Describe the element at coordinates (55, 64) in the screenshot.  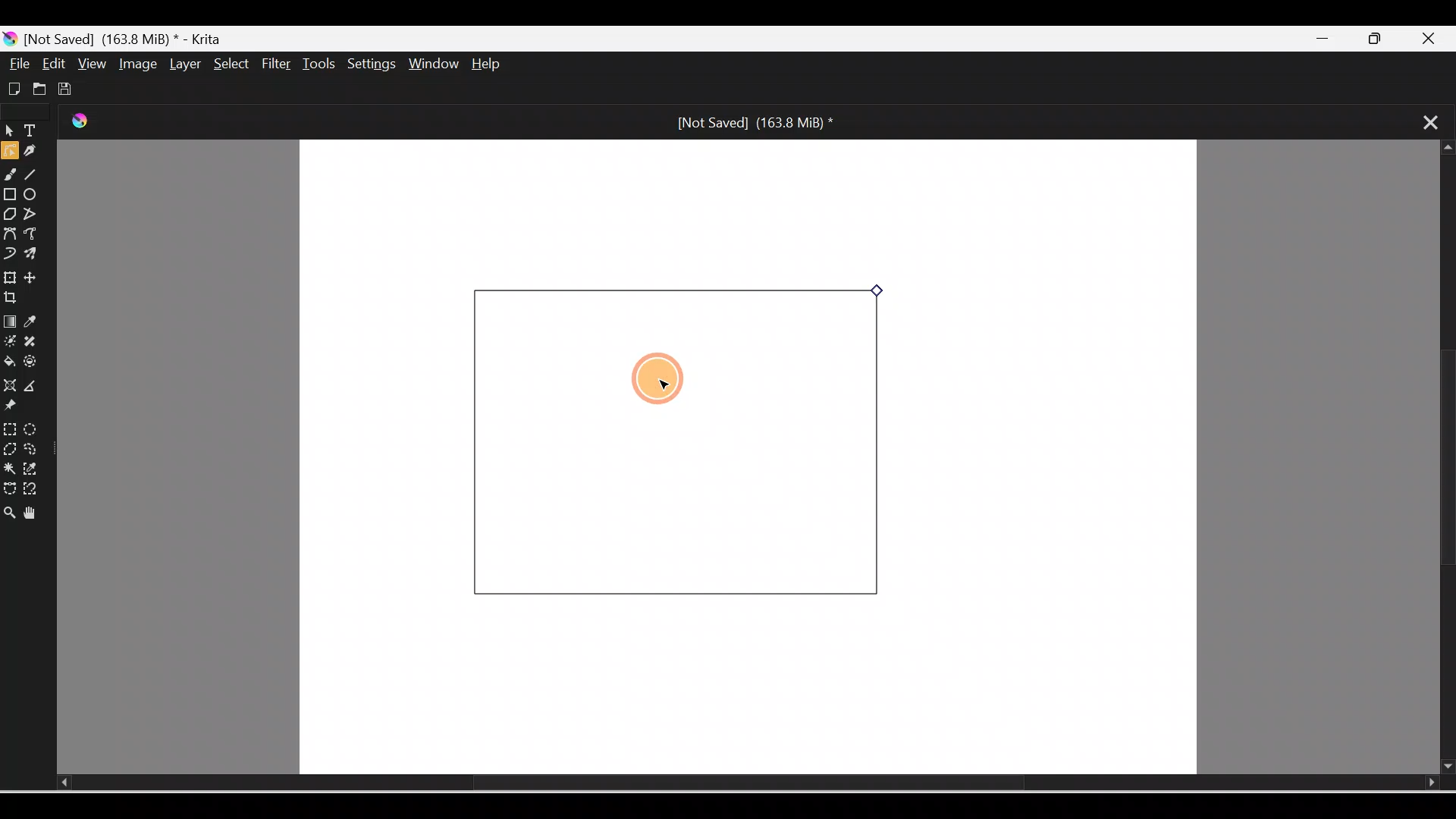
I see `Edit` at that location.